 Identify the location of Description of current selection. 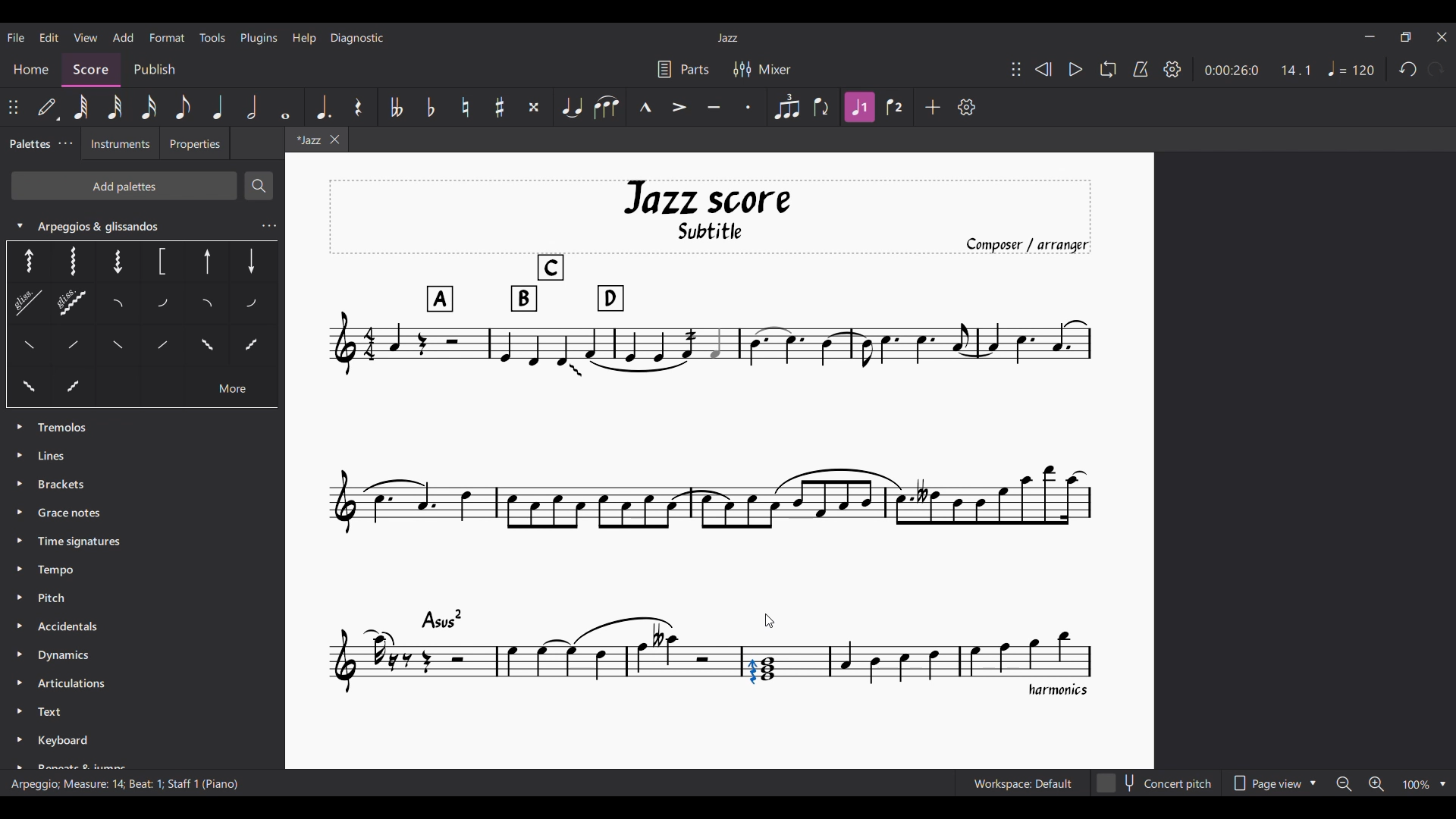
(127, 790).